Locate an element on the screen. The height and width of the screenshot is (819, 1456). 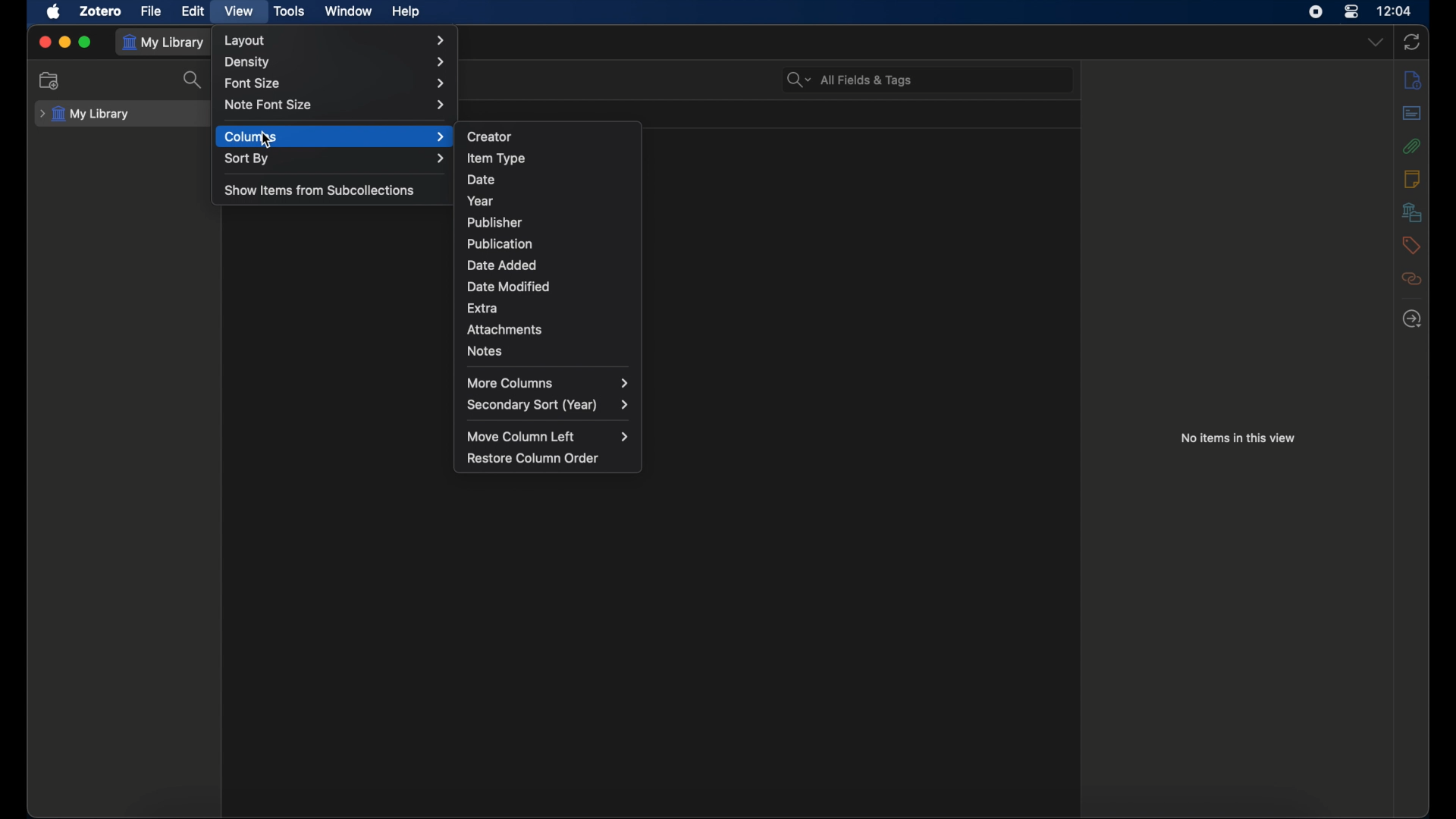
sync is located at coordinates (1411, 42).